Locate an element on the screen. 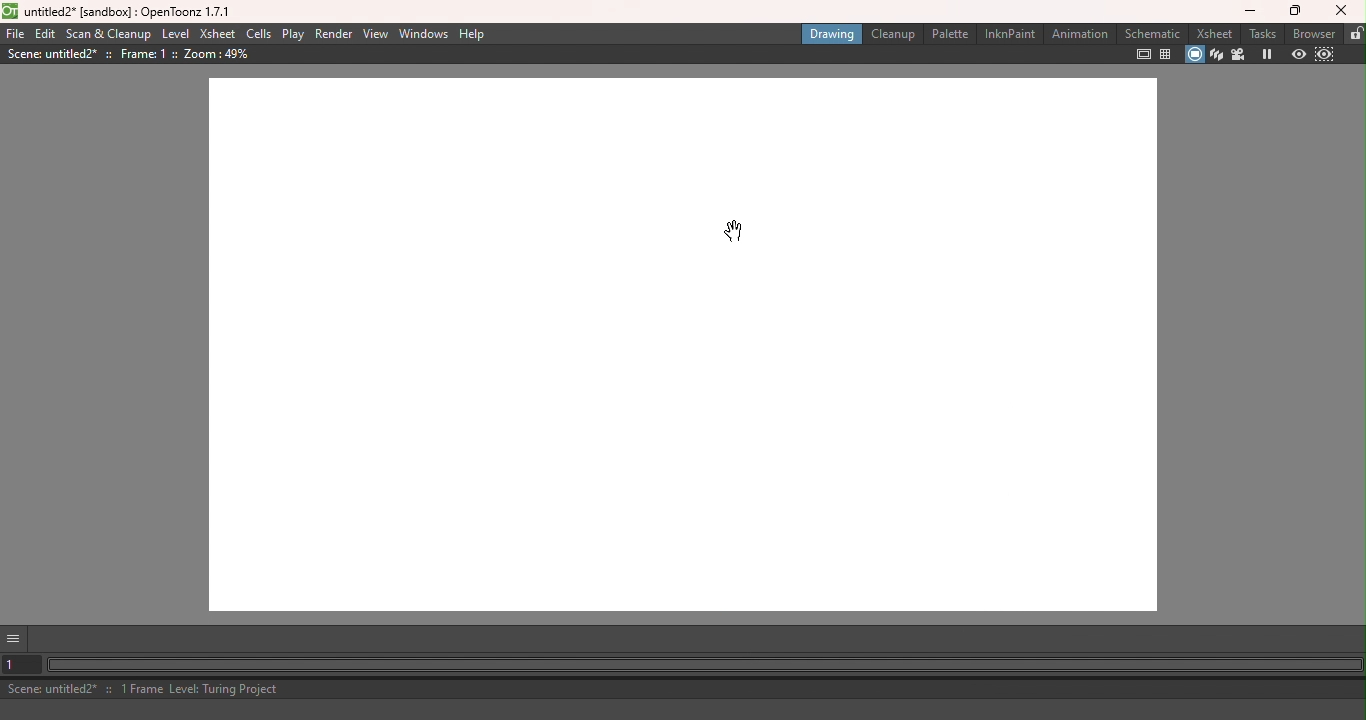 Image resolution: width=1366 pixels, height=720 pixels. Tasks is located at coordinates (1263, 33).